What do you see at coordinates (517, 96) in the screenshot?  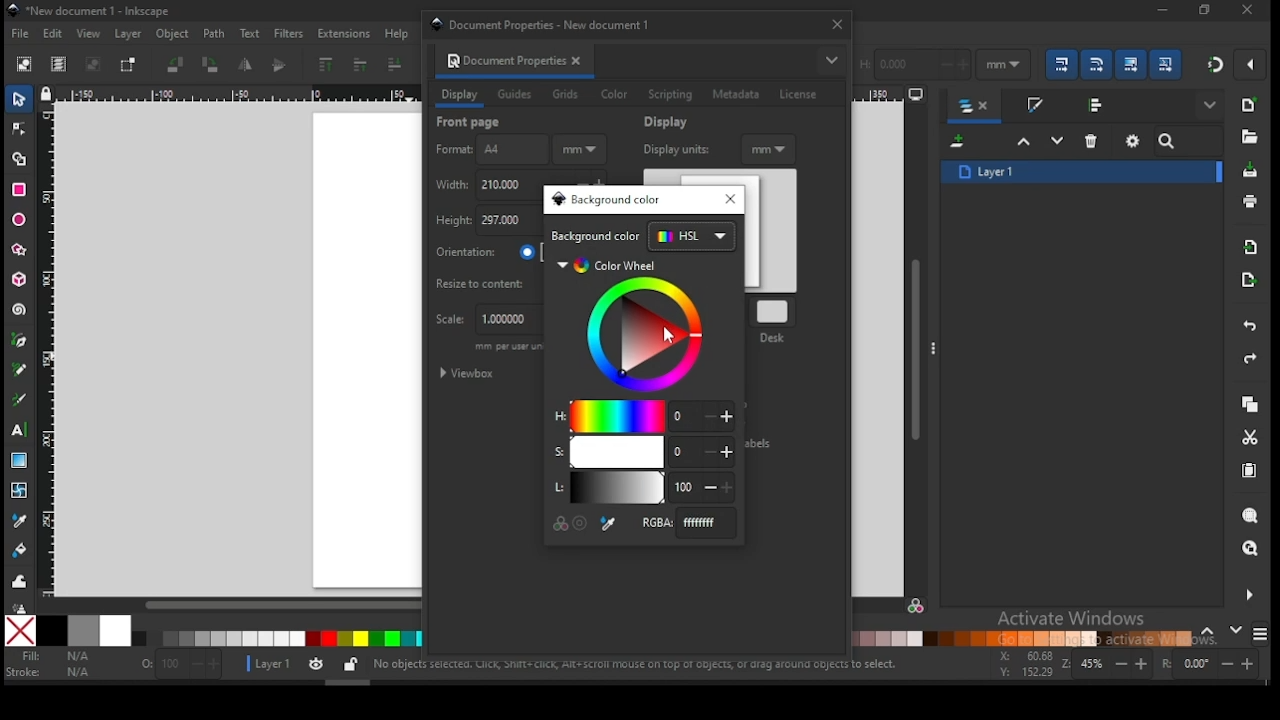 I see `guides` at bounding box center [517, 96].